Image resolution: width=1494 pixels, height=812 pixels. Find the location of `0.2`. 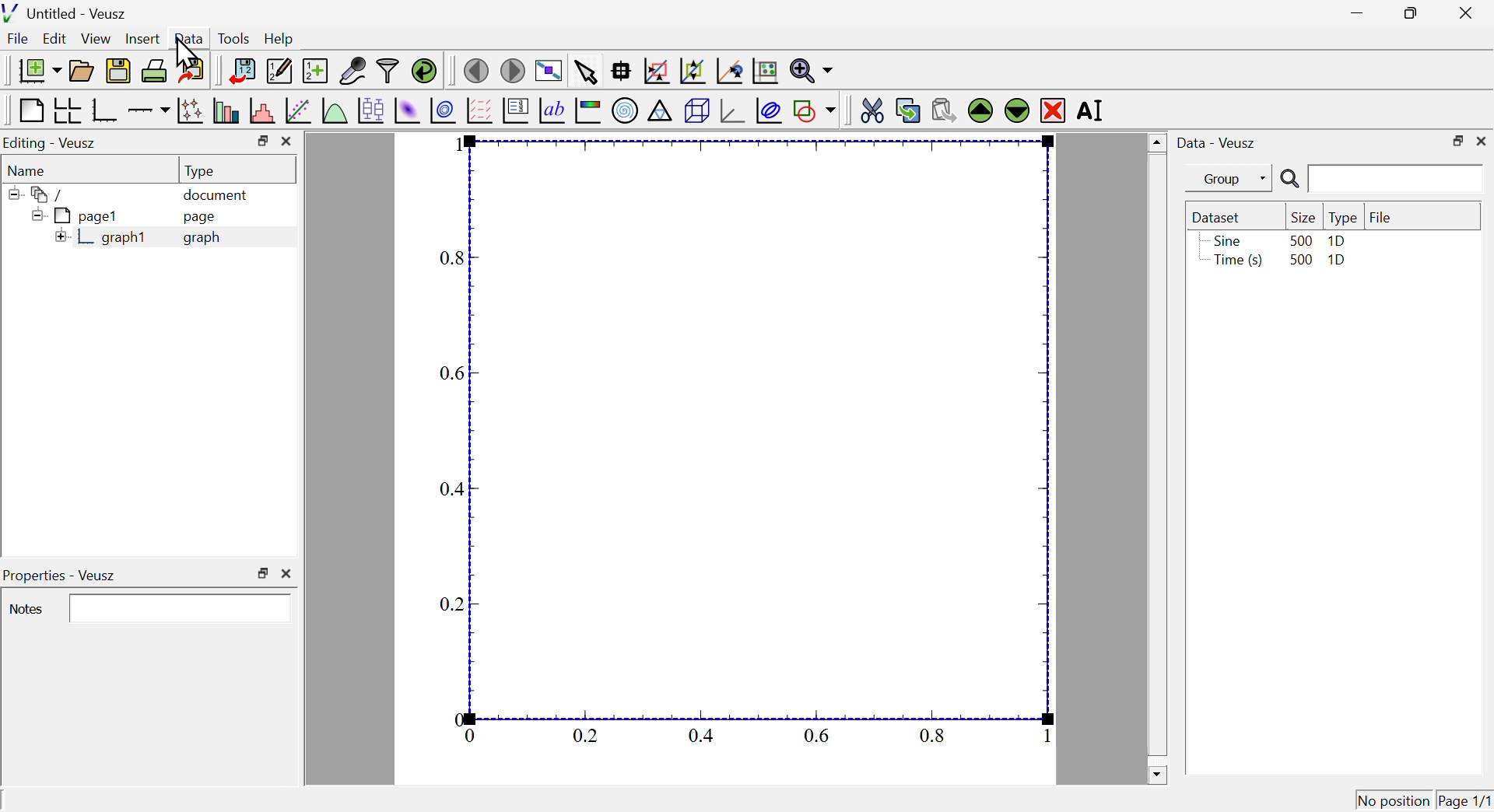

0.2 is located at coordinates (585, 736).